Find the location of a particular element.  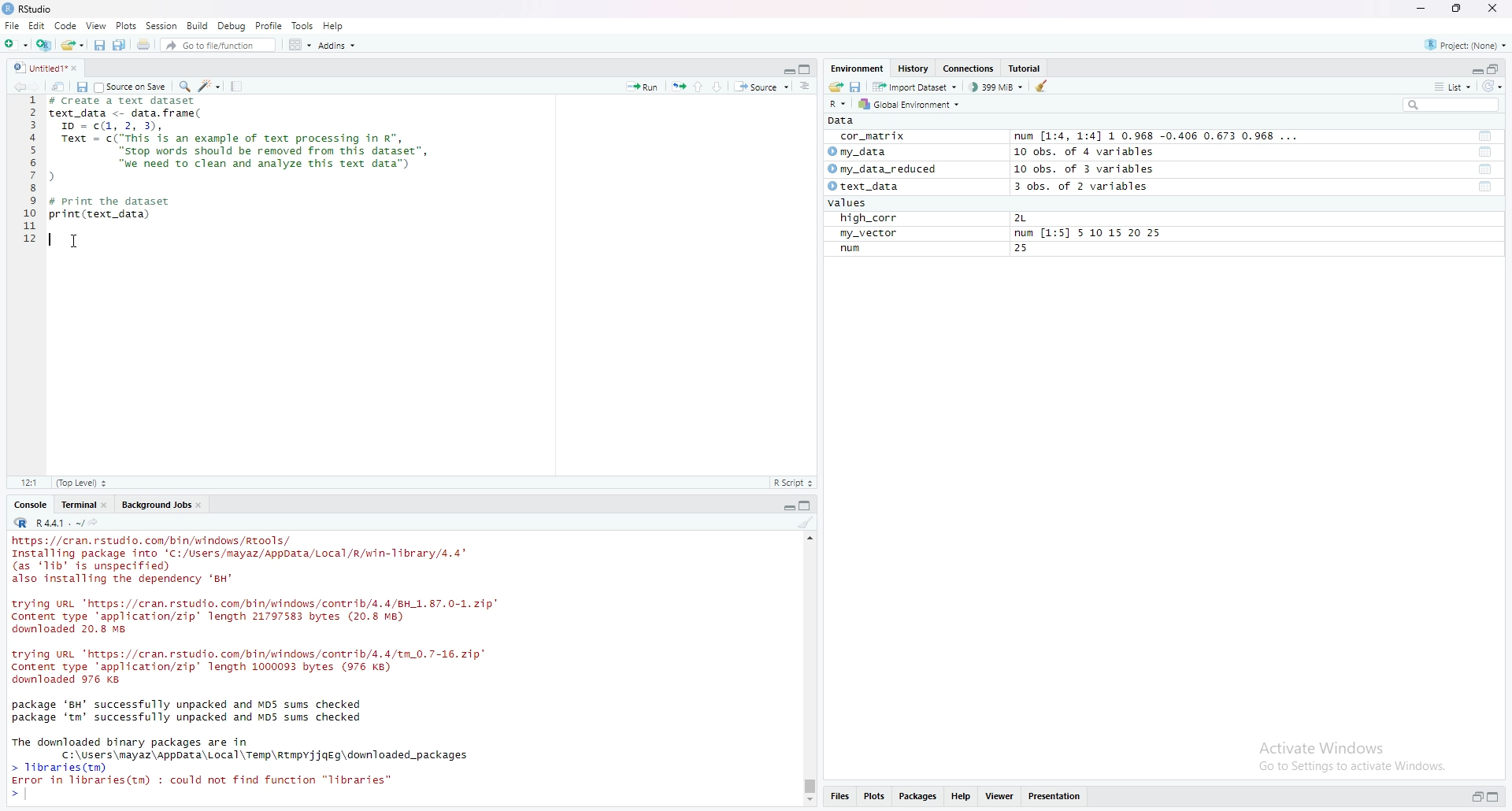

Environment is located at coordinates (858, 68).